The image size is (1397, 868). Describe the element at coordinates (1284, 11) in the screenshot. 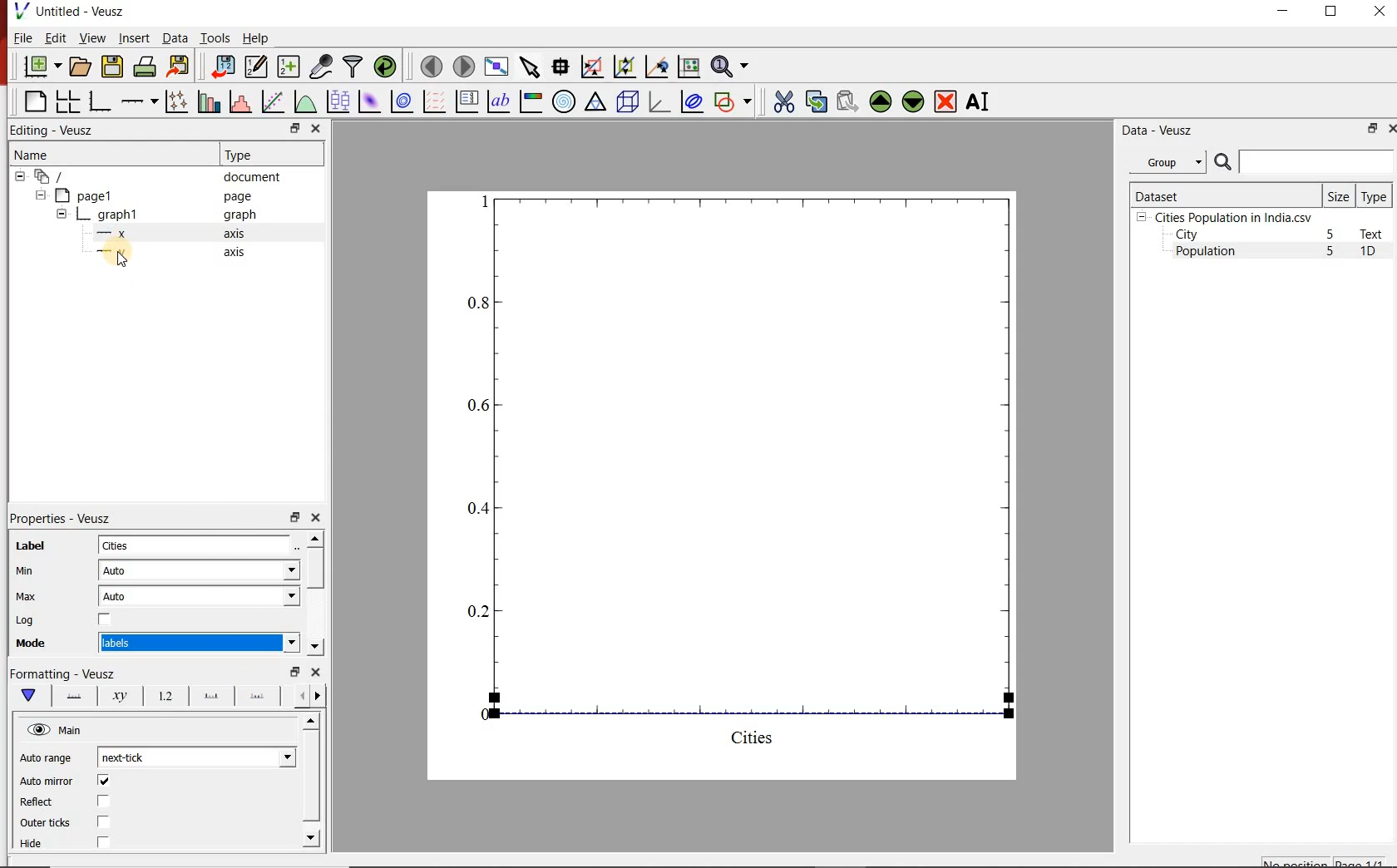

I see `MINIMIZE` at that location.